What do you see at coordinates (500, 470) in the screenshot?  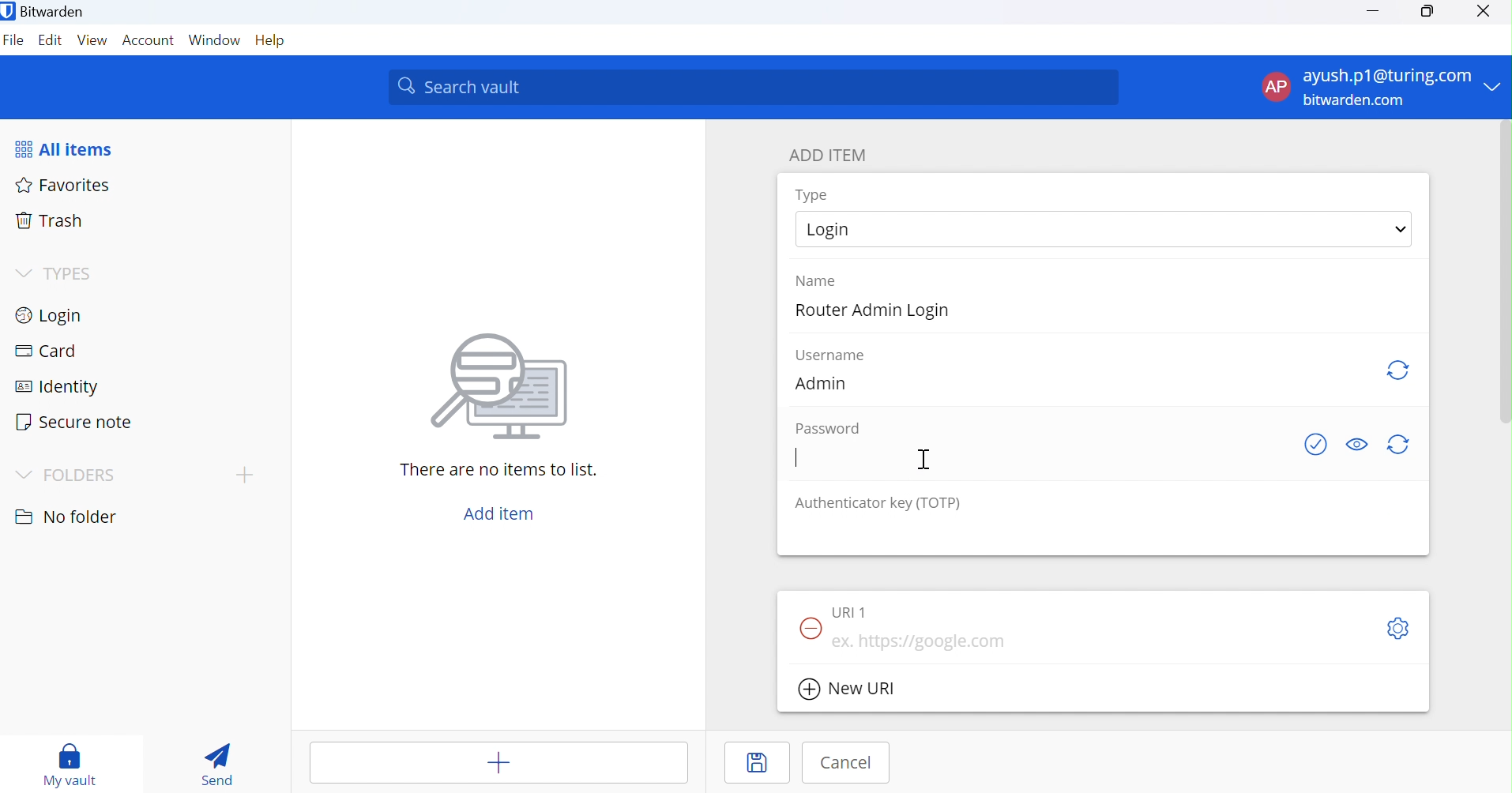 I see `There are no items to list.` at bounding box center [500, 470].